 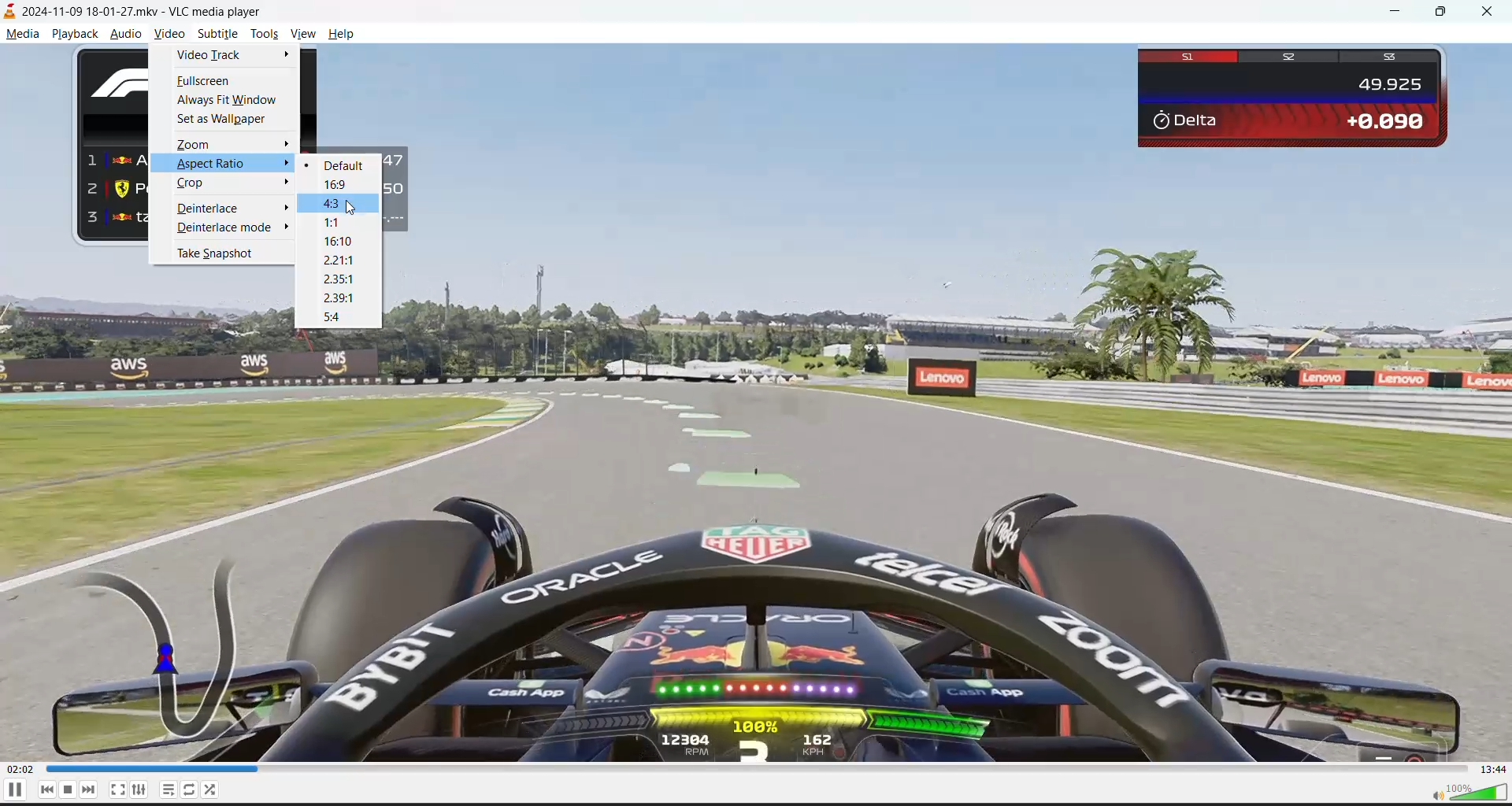 What do you see at coordinates (338, 185) in the screenshot?
I see `16:9` at bounding box center [338, 185].